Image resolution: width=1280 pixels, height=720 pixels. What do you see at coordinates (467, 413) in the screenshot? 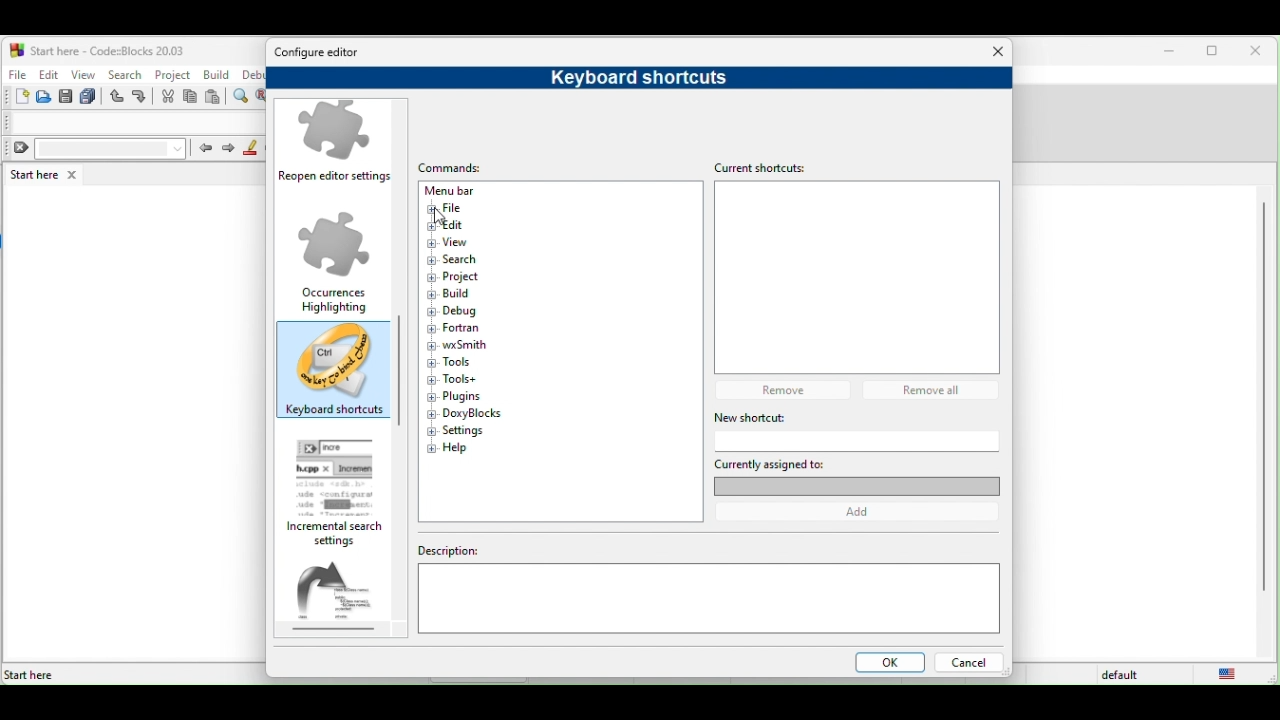
I see `dooxyblocks` at bounding box center [467, 413].